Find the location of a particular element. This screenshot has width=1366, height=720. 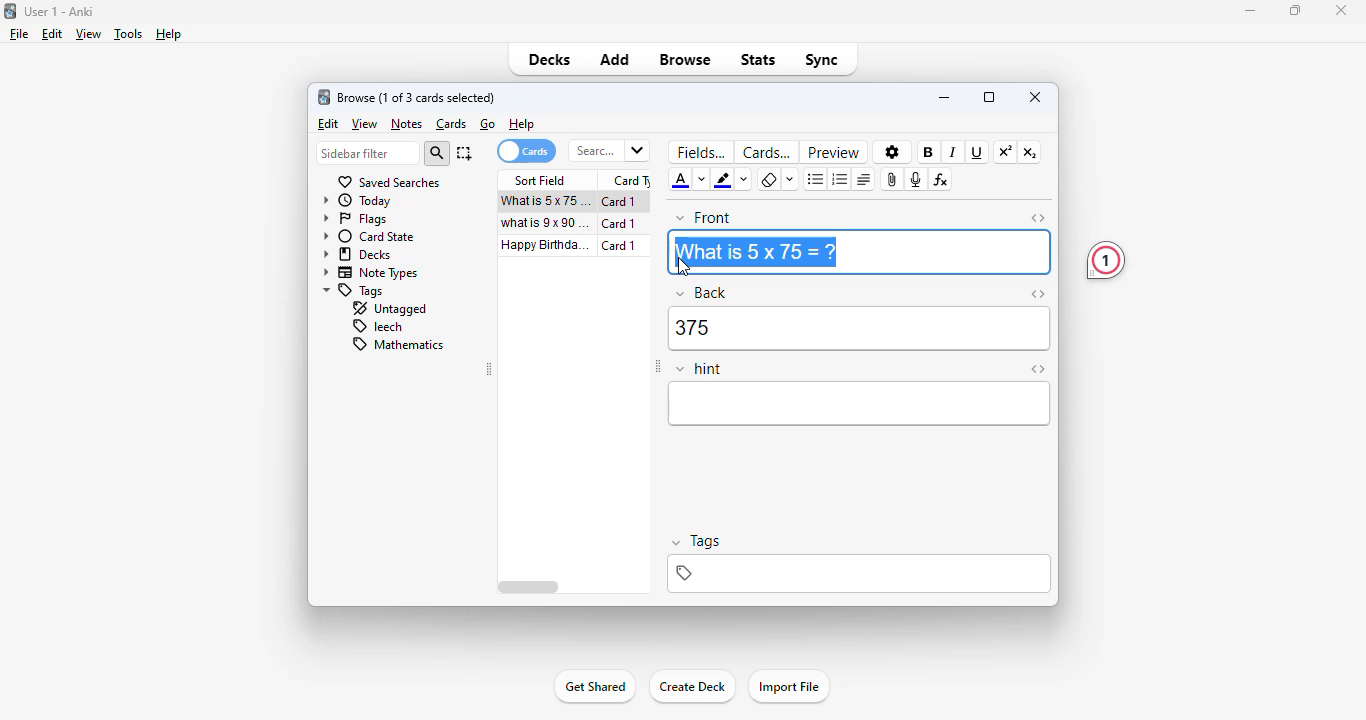

preview is located at coordinates (835, 152).